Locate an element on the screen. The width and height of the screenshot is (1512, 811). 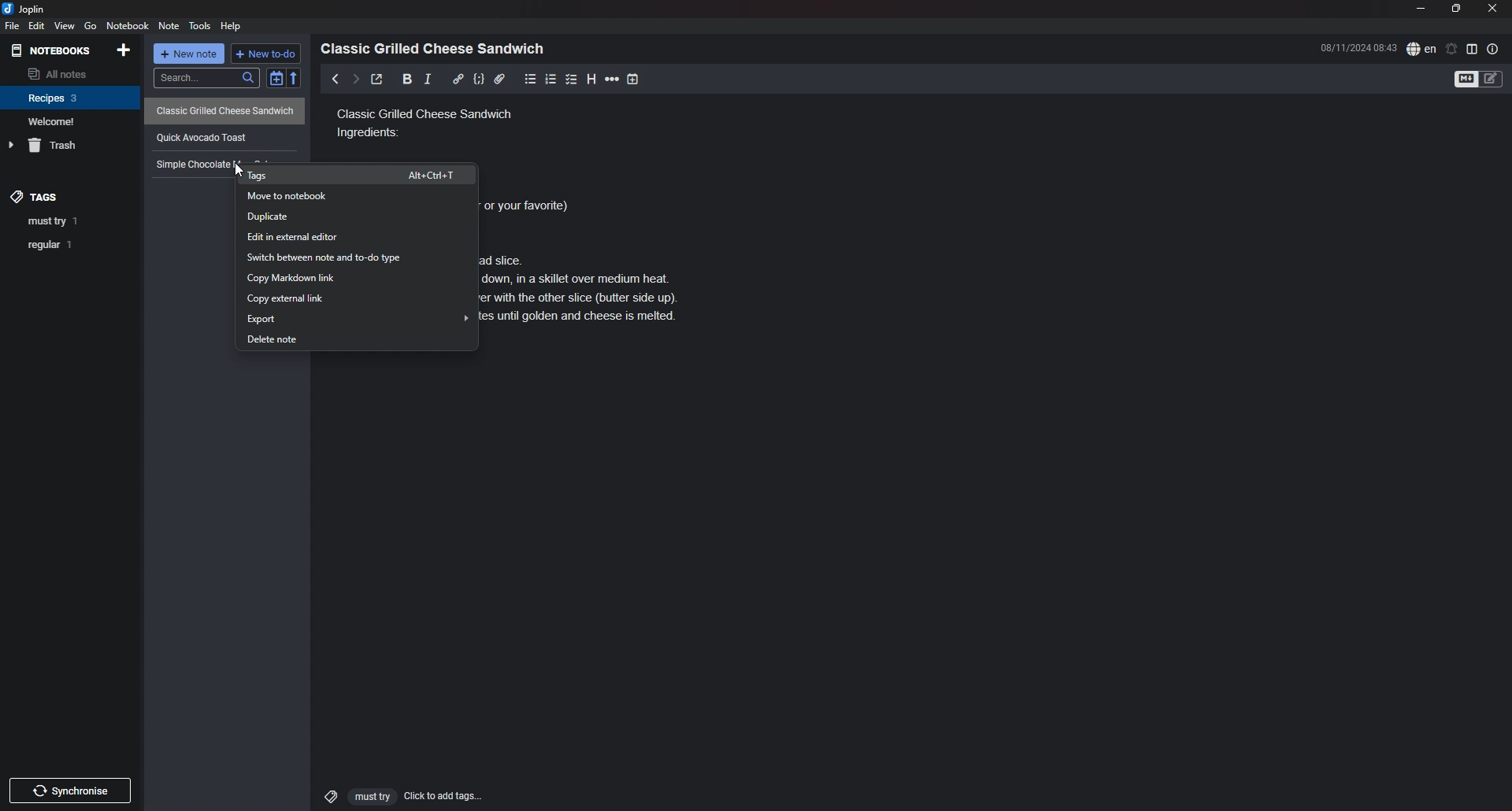
Export is located at coordinates (356, 320).